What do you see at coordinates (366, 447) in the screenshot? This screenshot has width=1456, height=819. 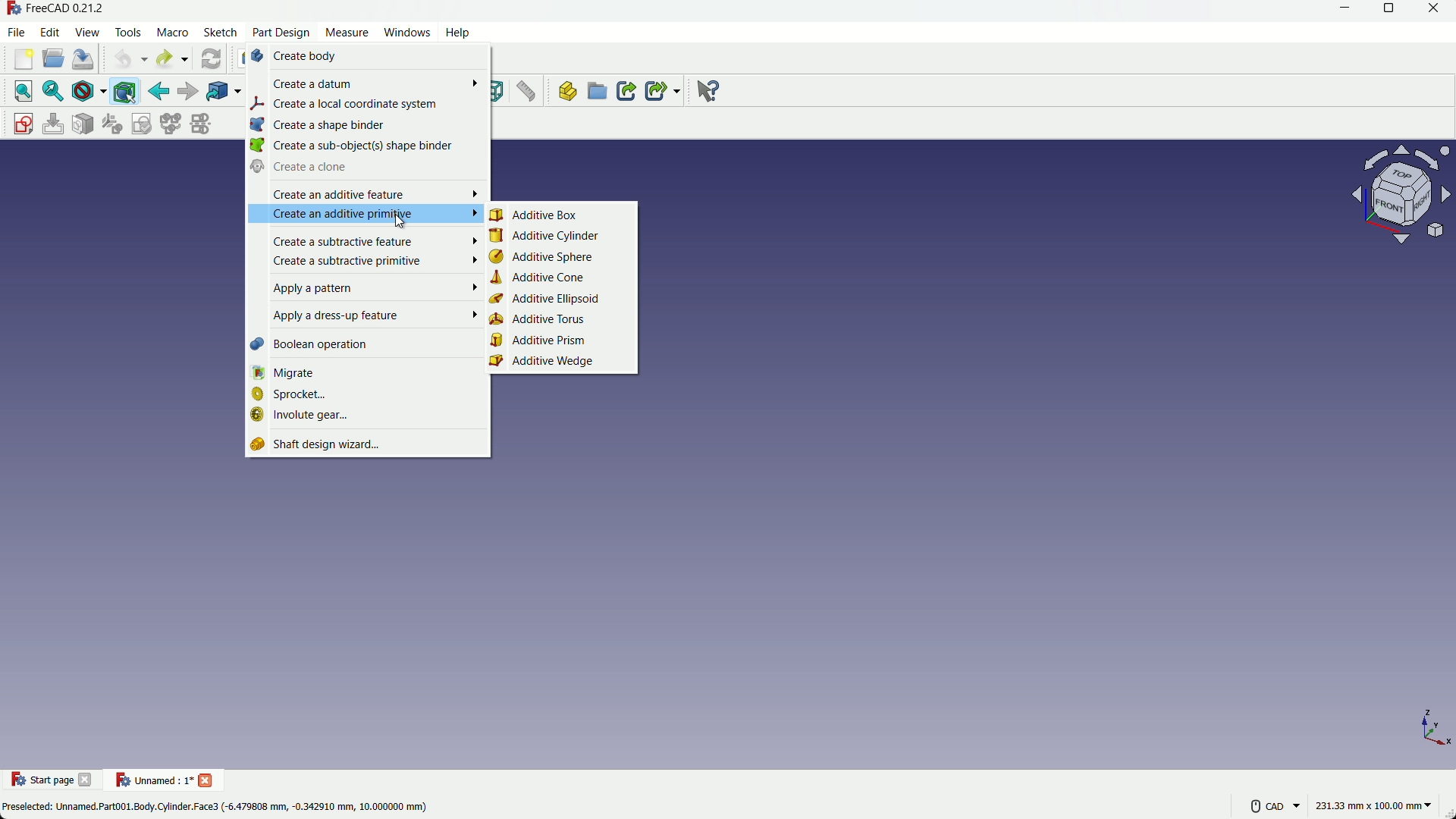 I see `shaft design wizard` at bounding box center [366, 447].